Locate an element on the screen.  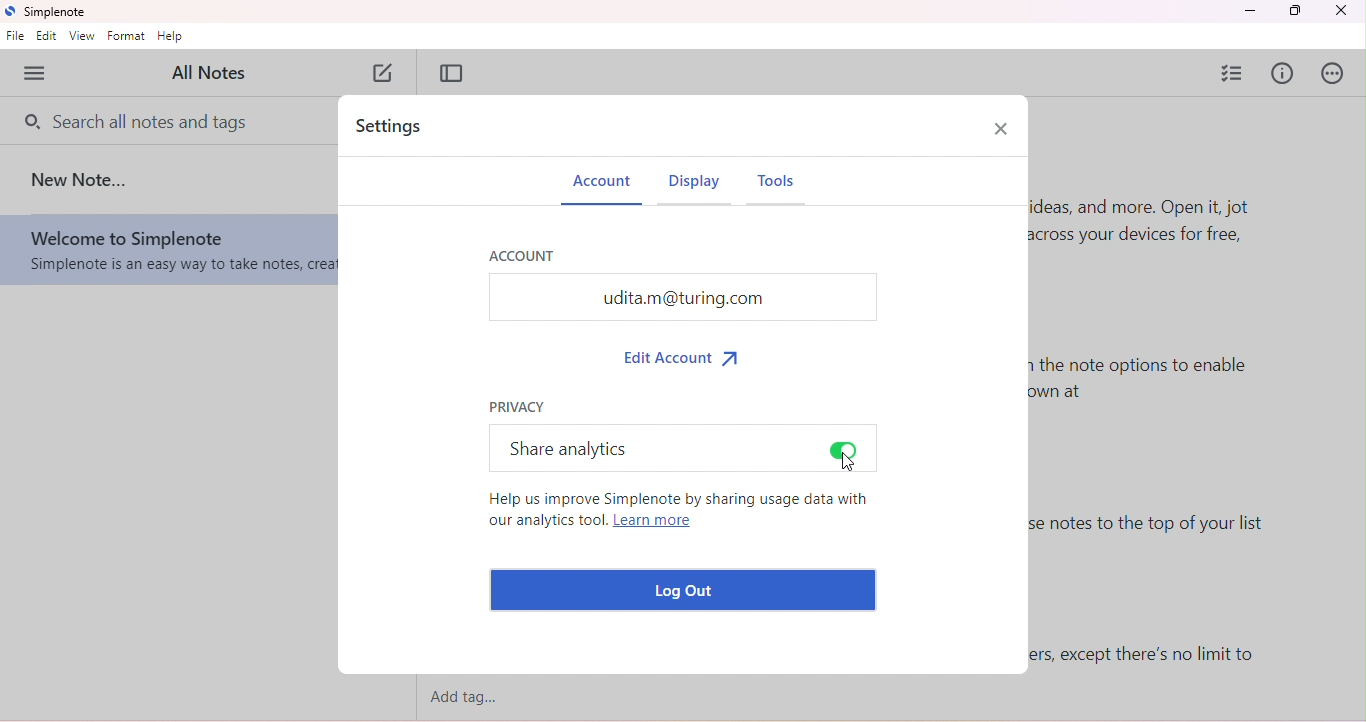
file is located at coordinates (16, 38).